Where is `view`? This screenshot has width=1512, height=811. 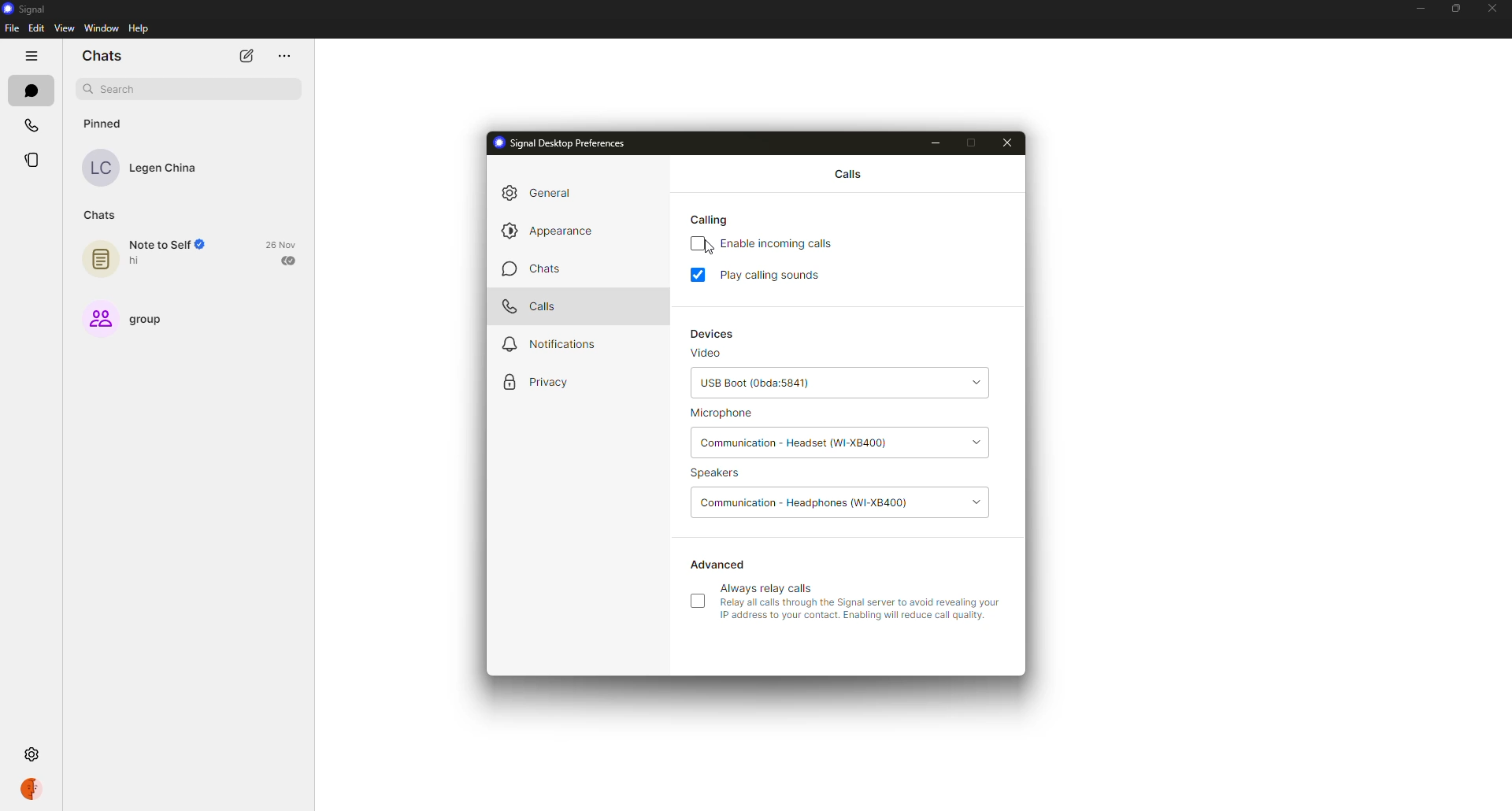
view is located at coordinates (65, 28).